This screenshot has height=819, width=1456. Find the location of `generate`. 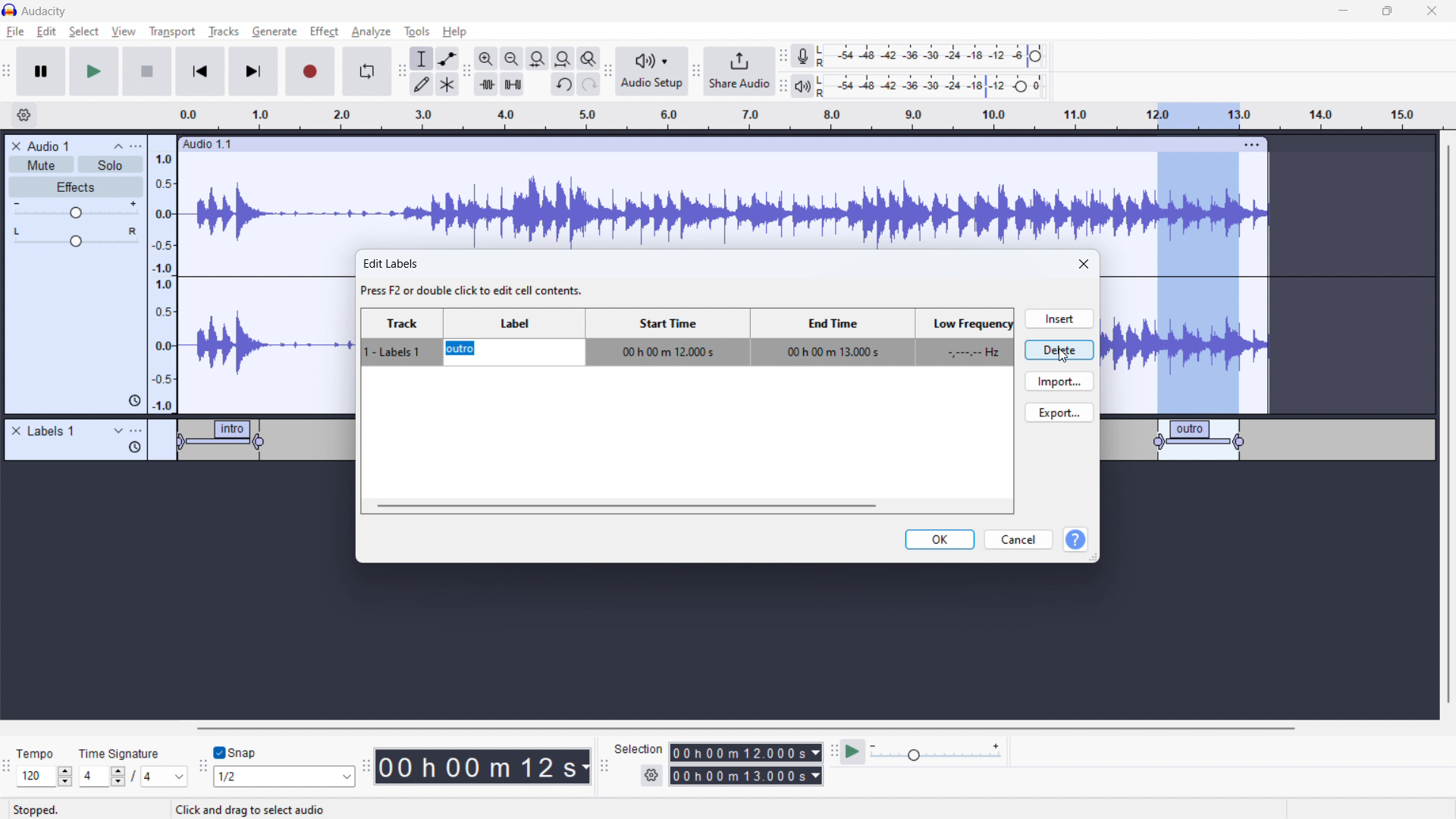

generate is located at coordinates (275, 31).